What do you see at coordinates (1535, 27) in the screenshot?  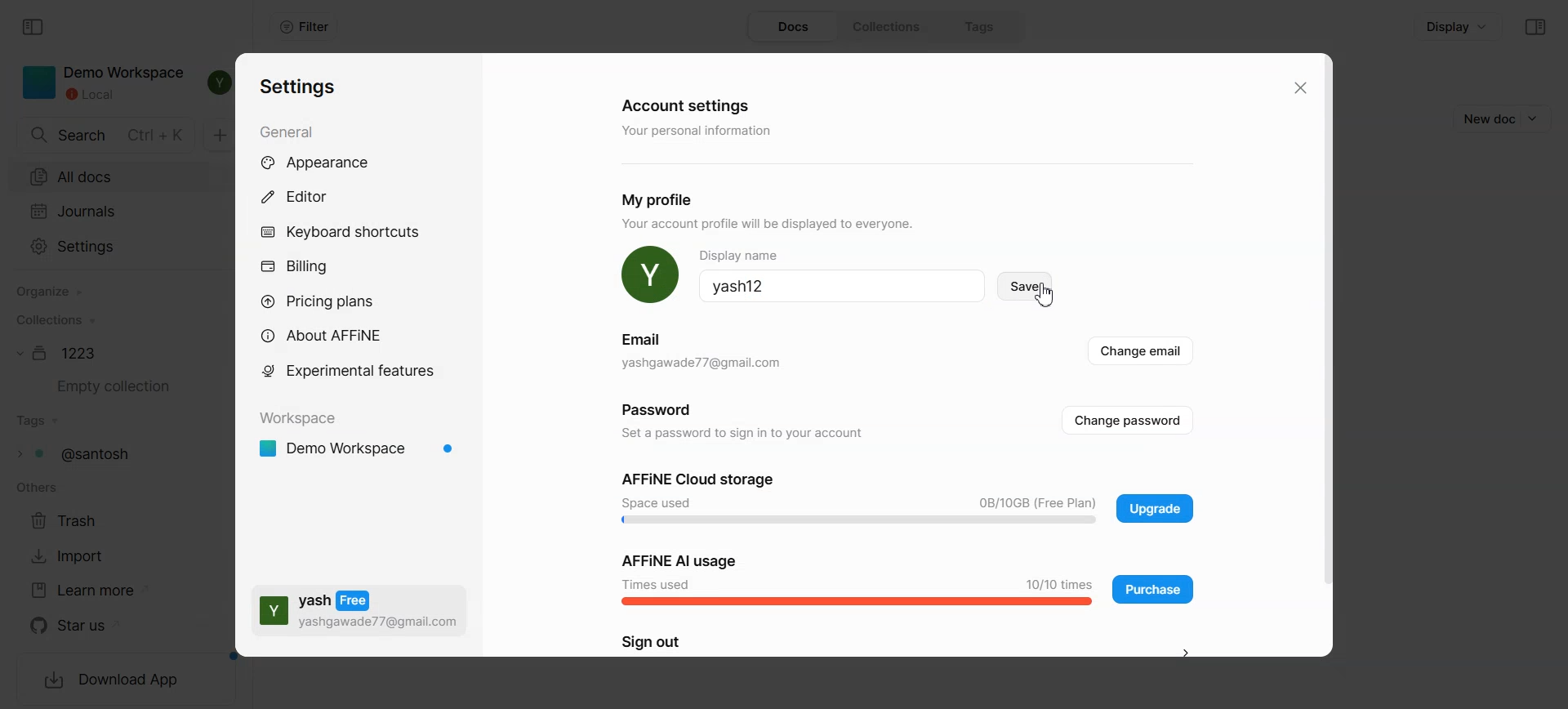 I see `Collapse sidebar` at bounding box center [1535, 27].